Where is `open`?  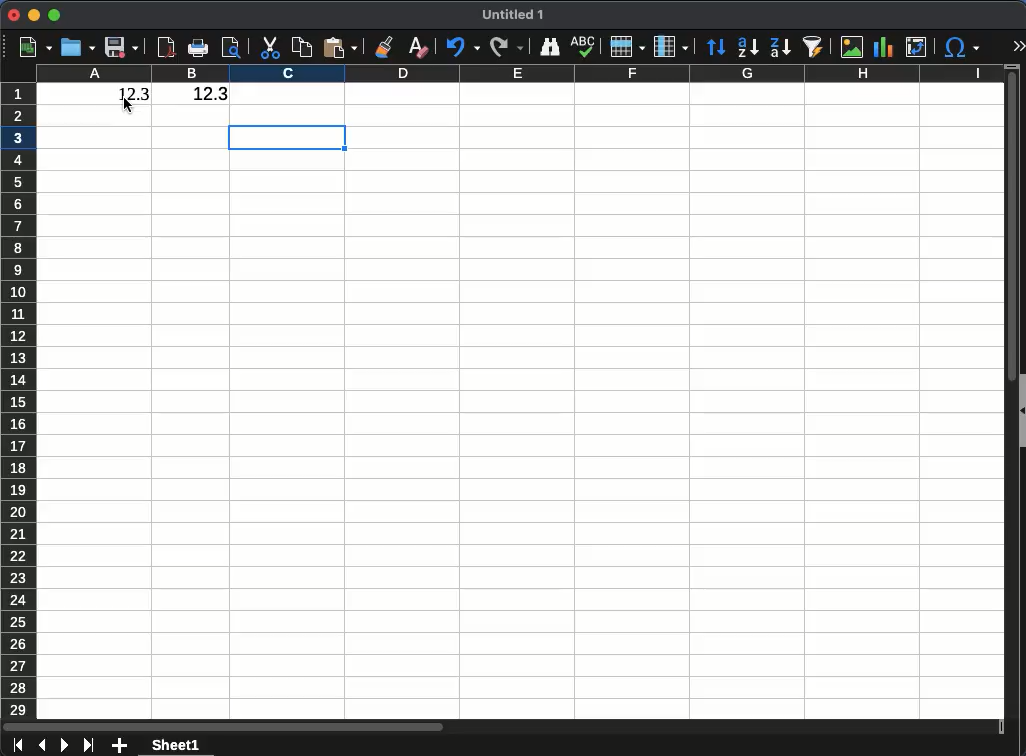 open is located at coordinates (76, 47).